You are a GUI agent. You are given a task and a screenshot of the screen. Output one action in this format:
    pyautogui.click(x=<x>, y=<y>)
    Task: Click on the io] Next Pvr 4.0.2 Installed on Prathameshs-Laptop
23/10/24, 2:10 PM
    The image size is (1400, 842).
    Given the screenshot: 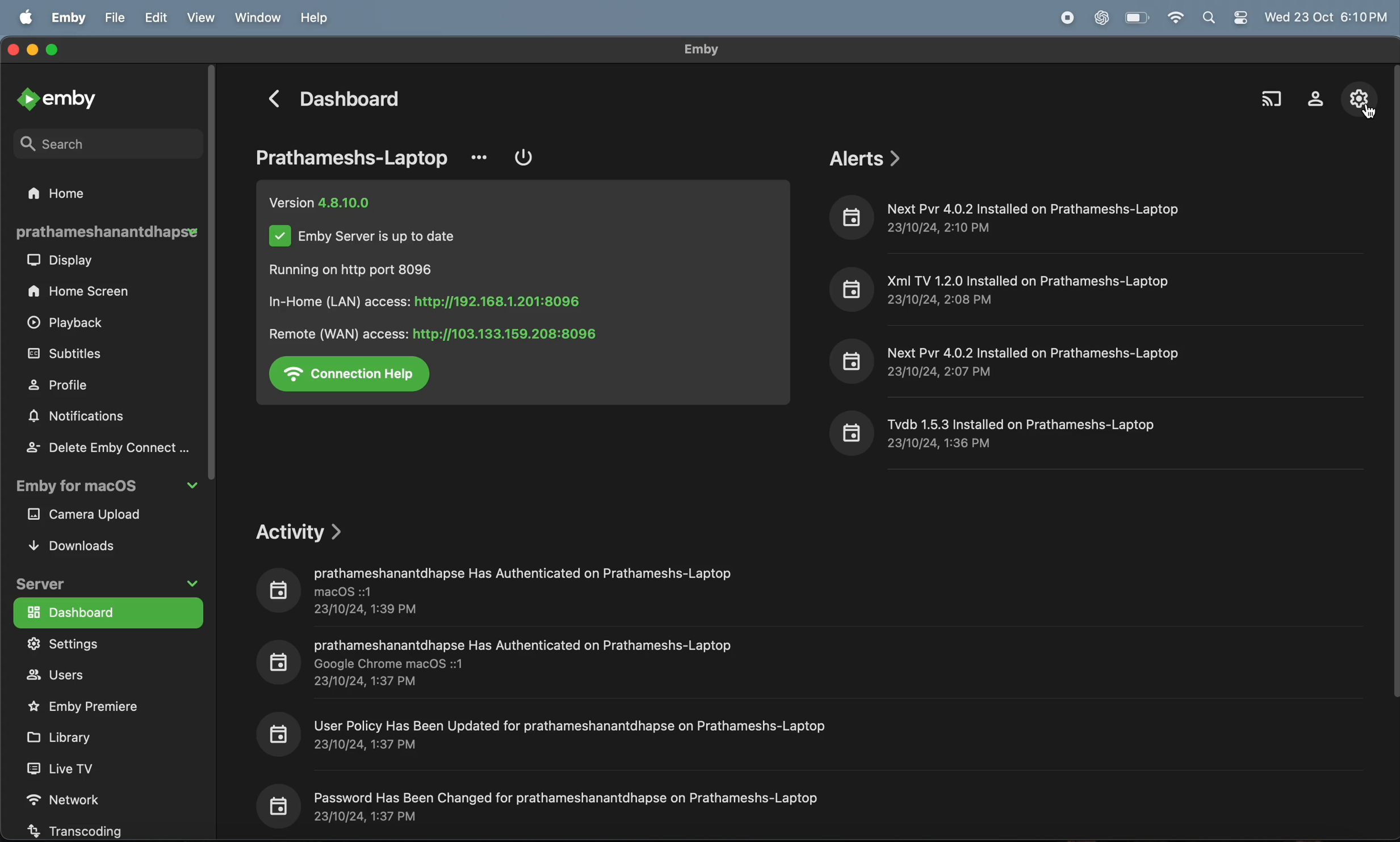 What is the action you would take?
    pyautogui.click(x=1008, y=217)
    